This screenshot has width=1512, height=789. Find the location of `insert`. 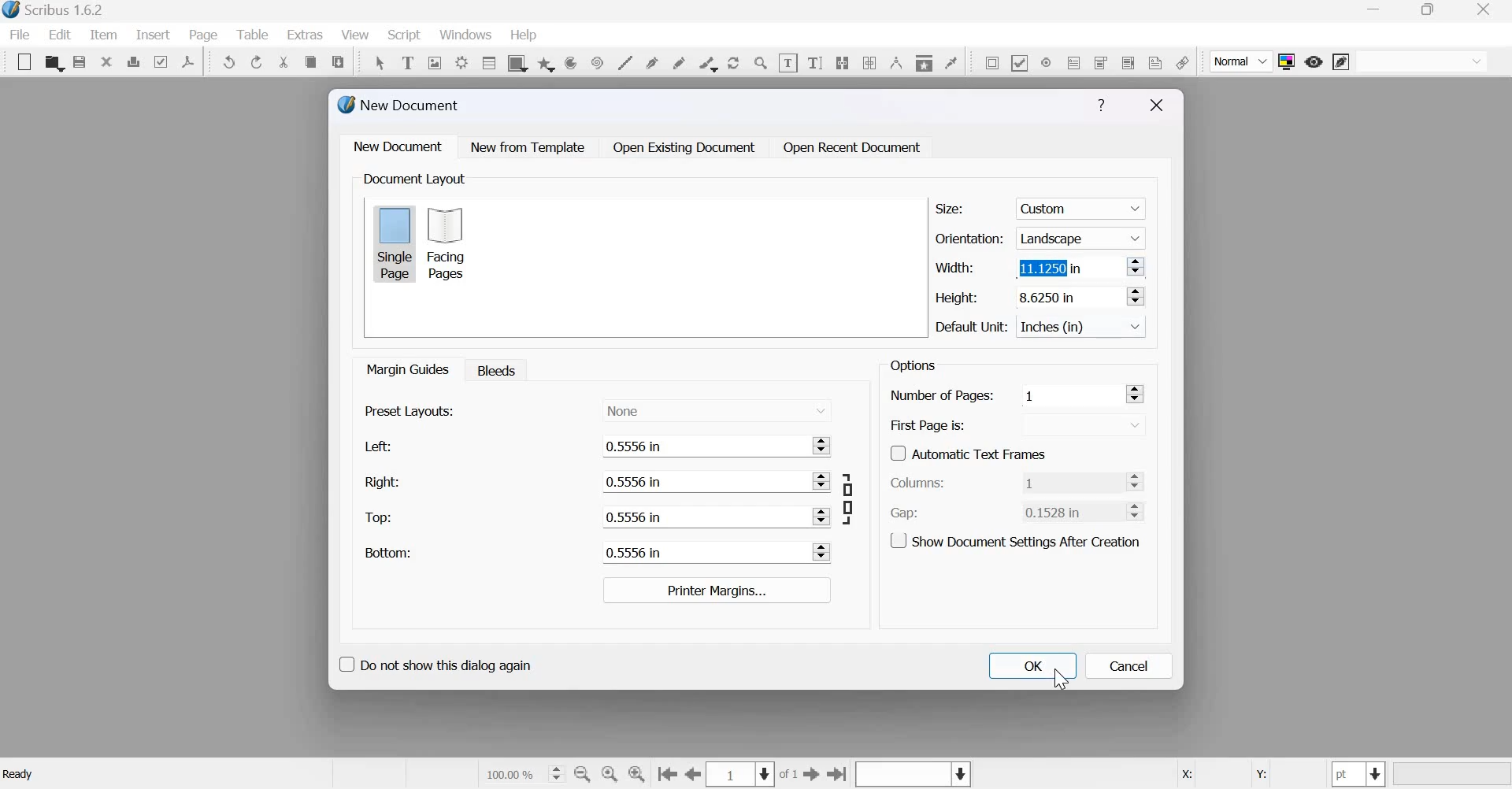

insert is located at coordinates (153, 34).